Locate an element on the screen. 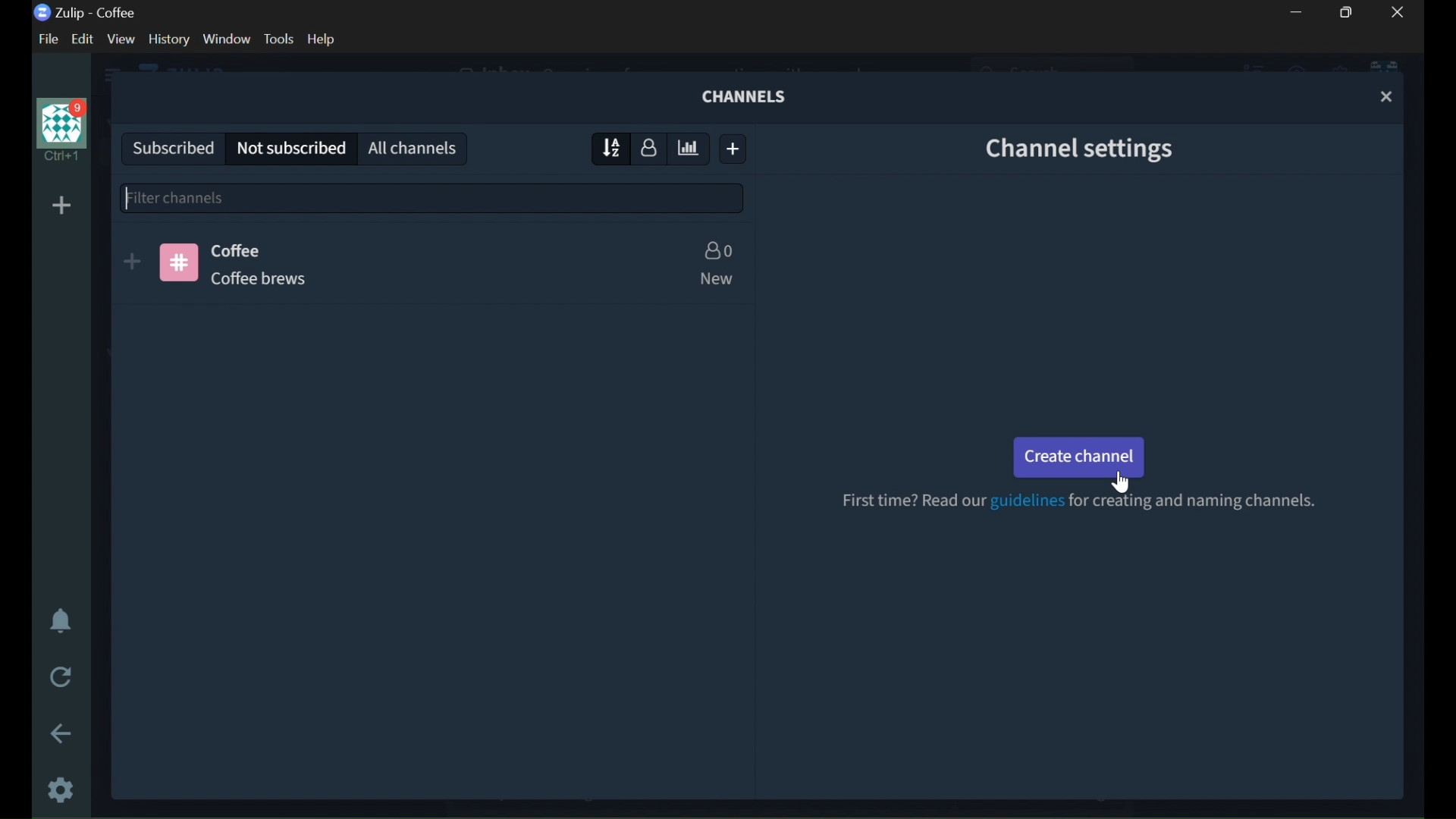 This screenshot has height=819, width=1456. GO BACK is located at coordinates (63, 733).